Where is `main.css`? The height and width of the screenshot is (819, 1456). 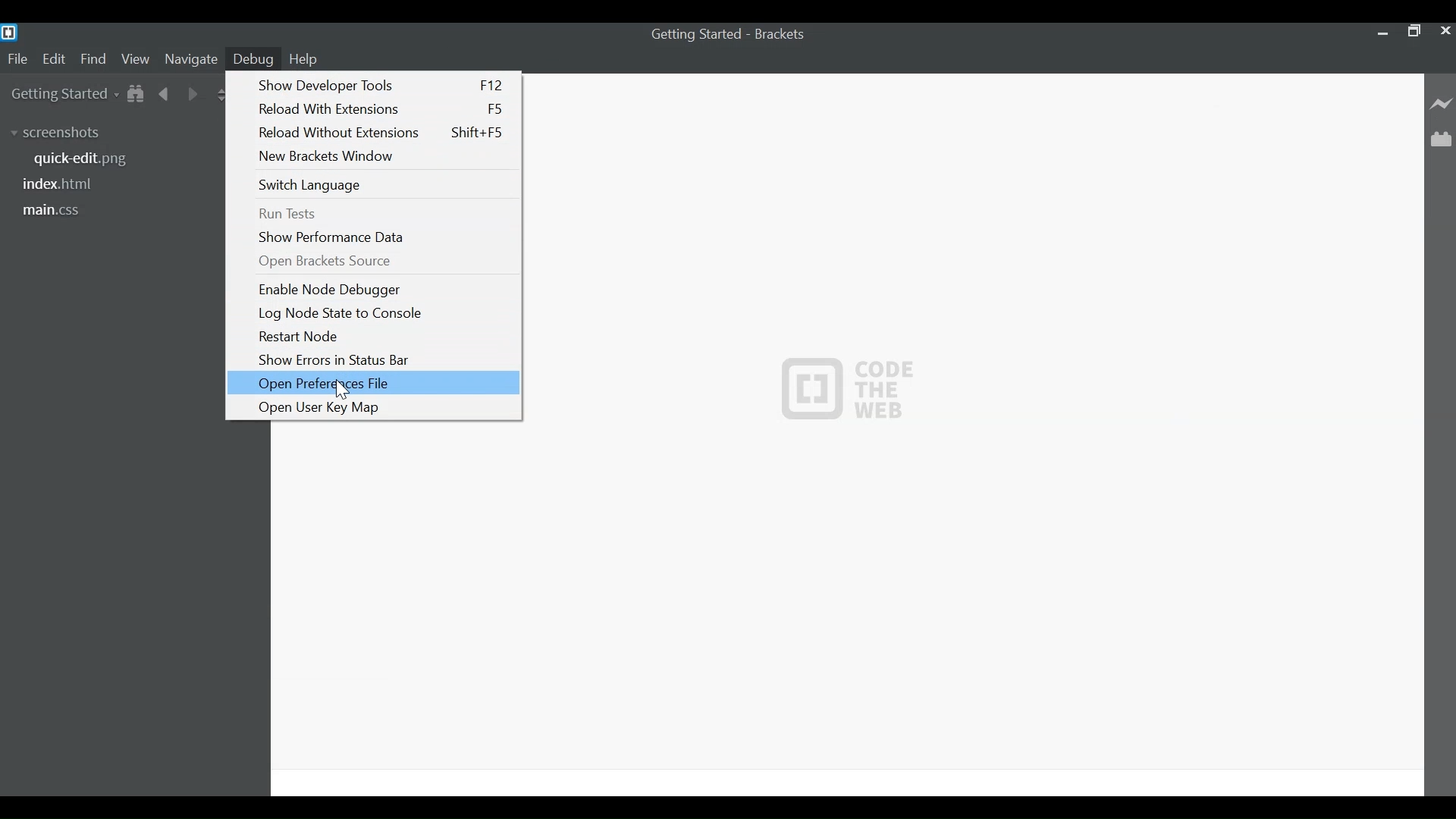 main.css is located at coordinates (55, 211).